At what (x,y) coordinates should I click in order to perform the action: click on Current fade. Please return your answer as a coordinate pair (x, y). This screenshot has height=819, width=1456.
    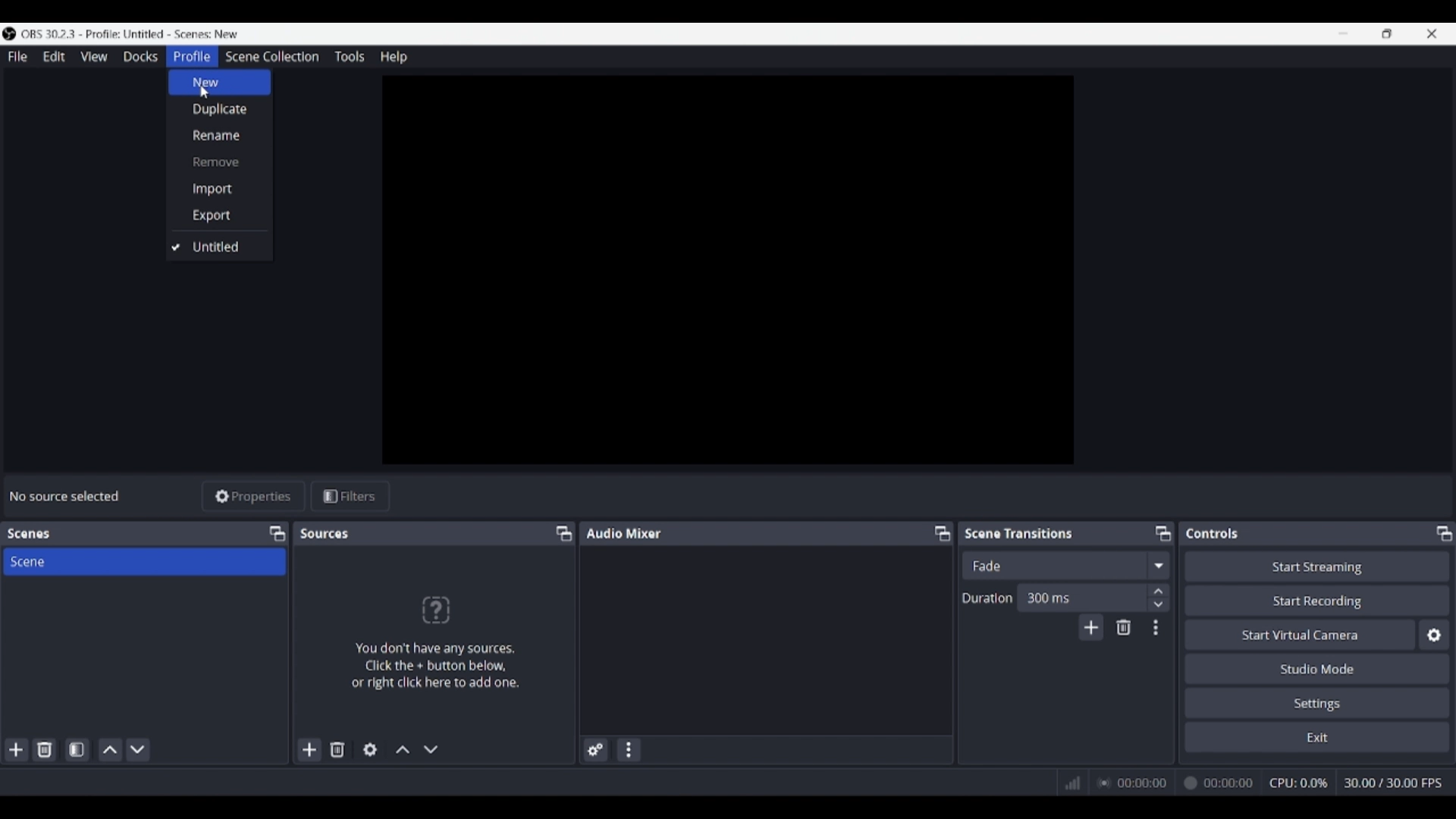
    Looking at the image, I should click on (1053, 565).